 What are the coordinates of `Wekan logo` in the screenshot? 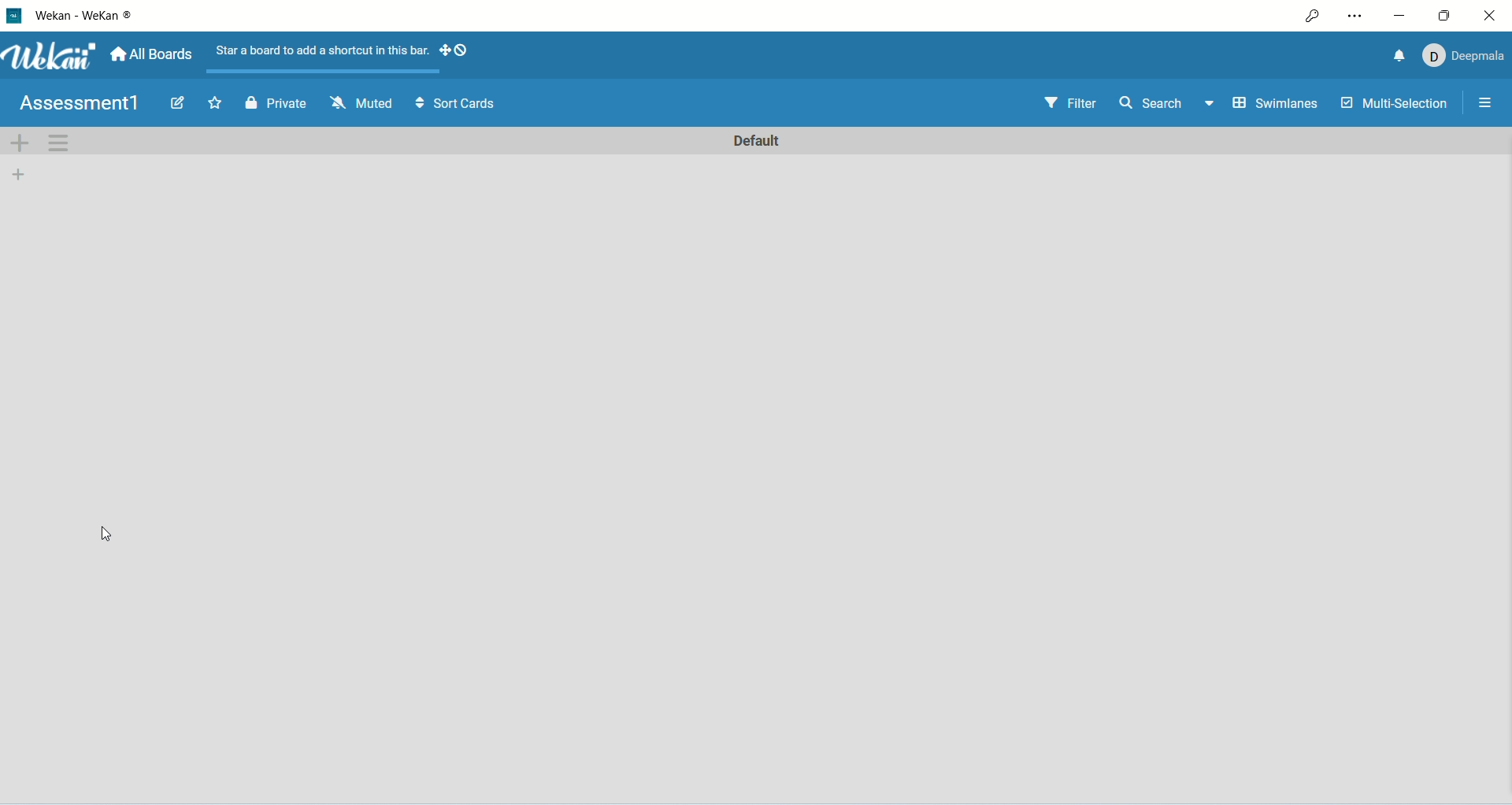 It's located at (49, 56).